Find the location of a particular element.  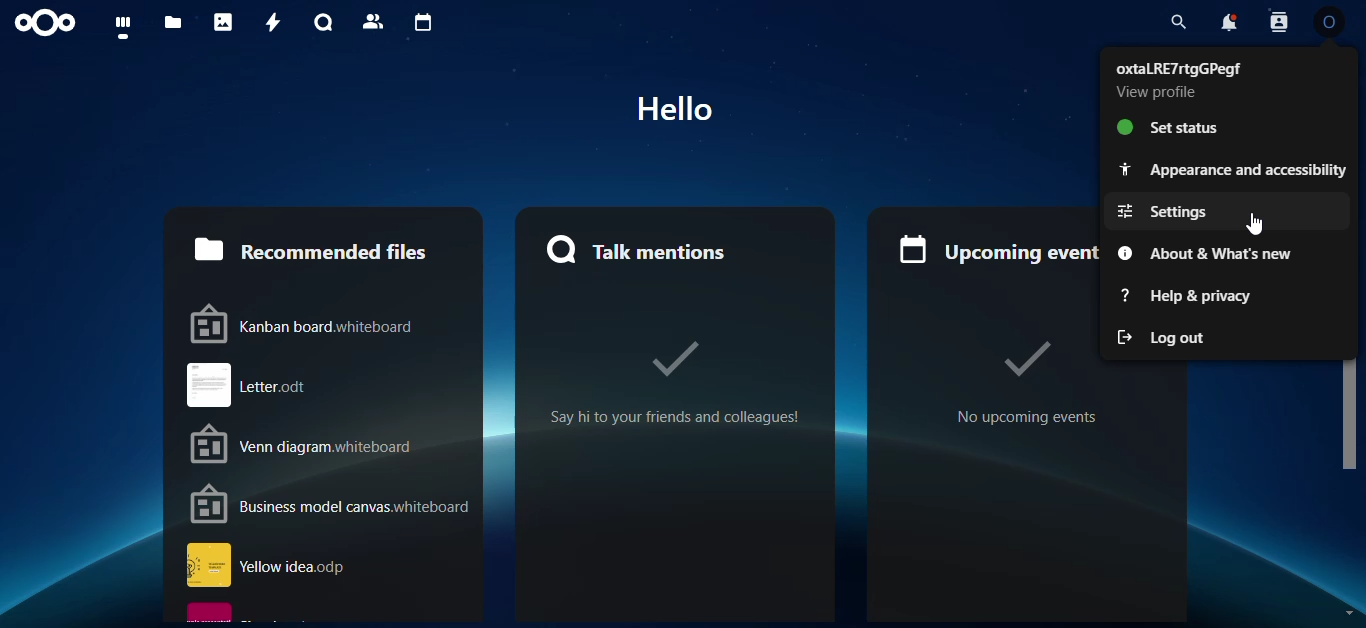

search is located at coordinates (1178, 22).